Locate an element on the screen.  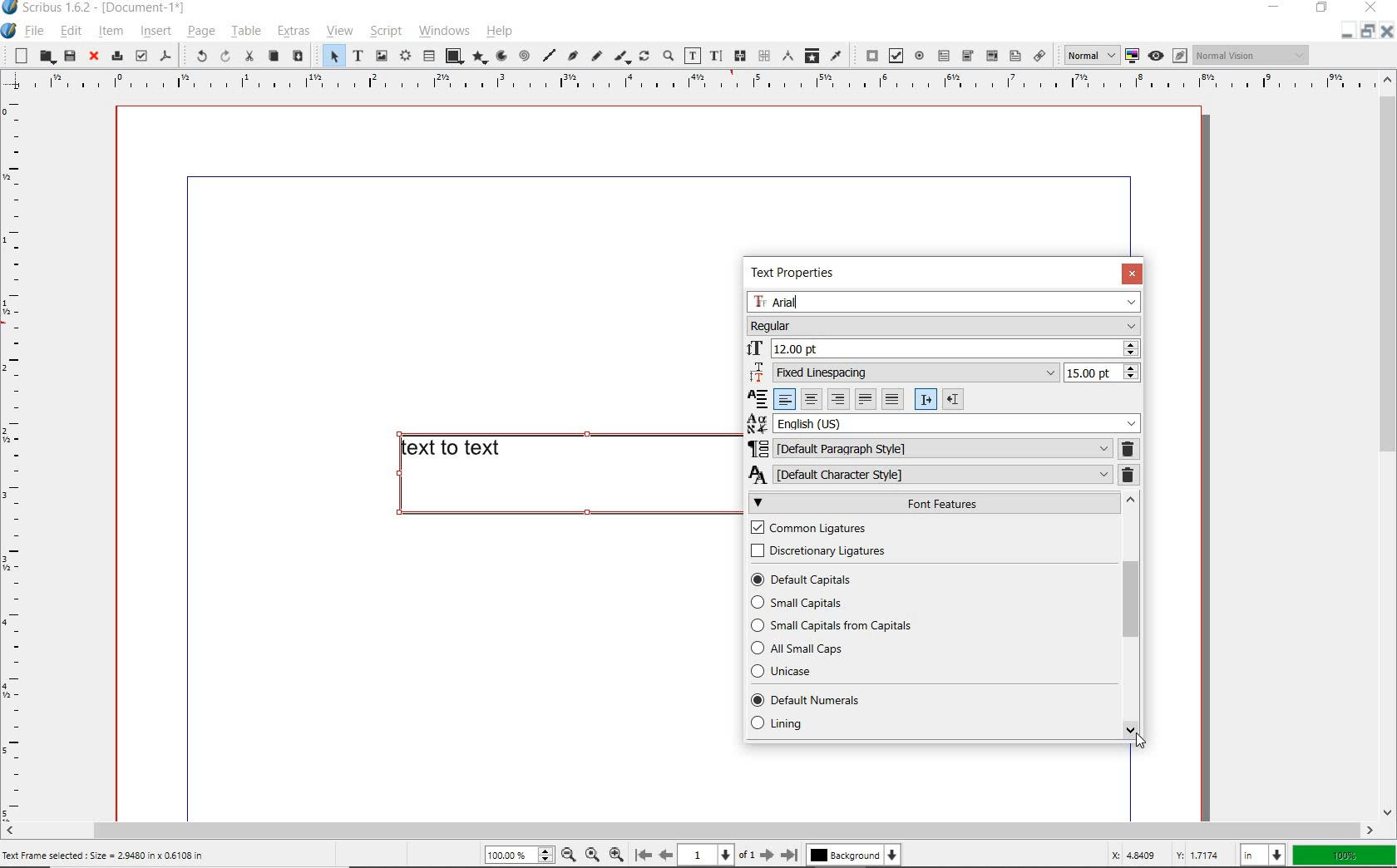
UNICASE is located at coordinates (783, 671).